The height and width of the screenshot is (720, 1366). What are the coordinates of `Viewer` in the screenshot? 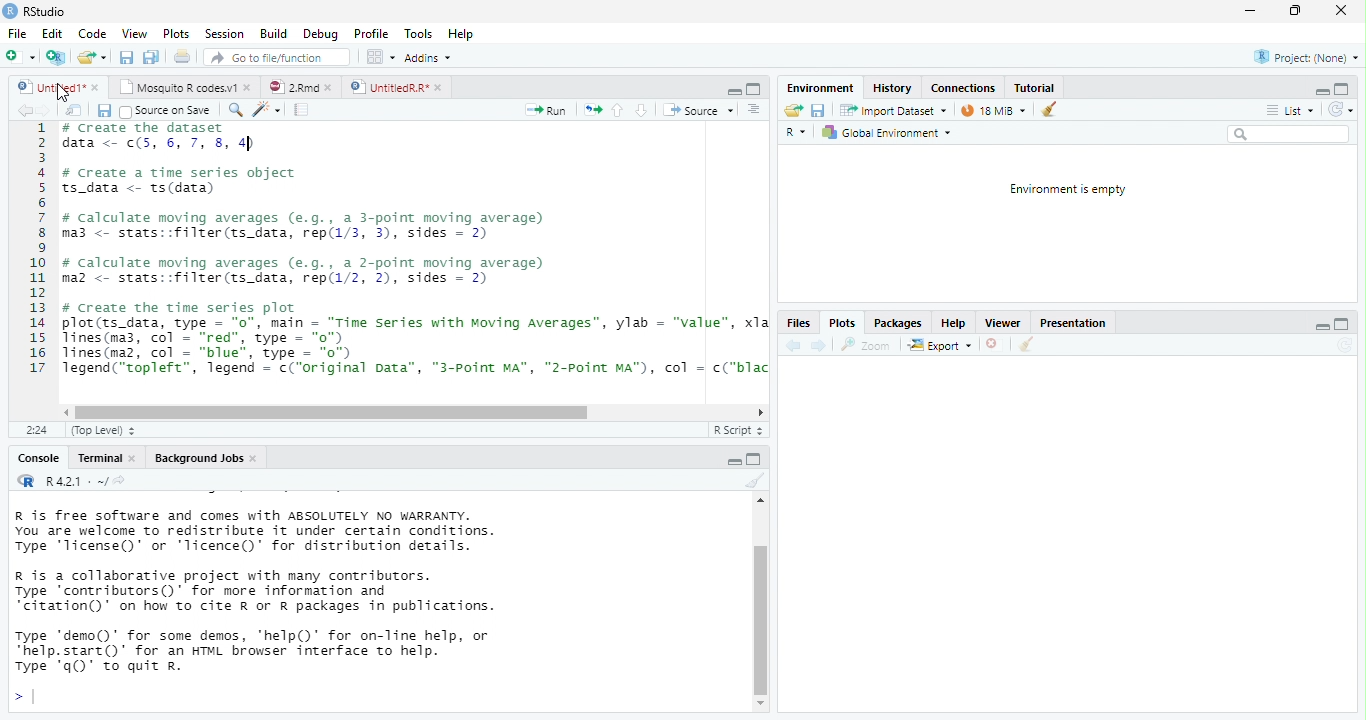 It's located at (1002, 323).